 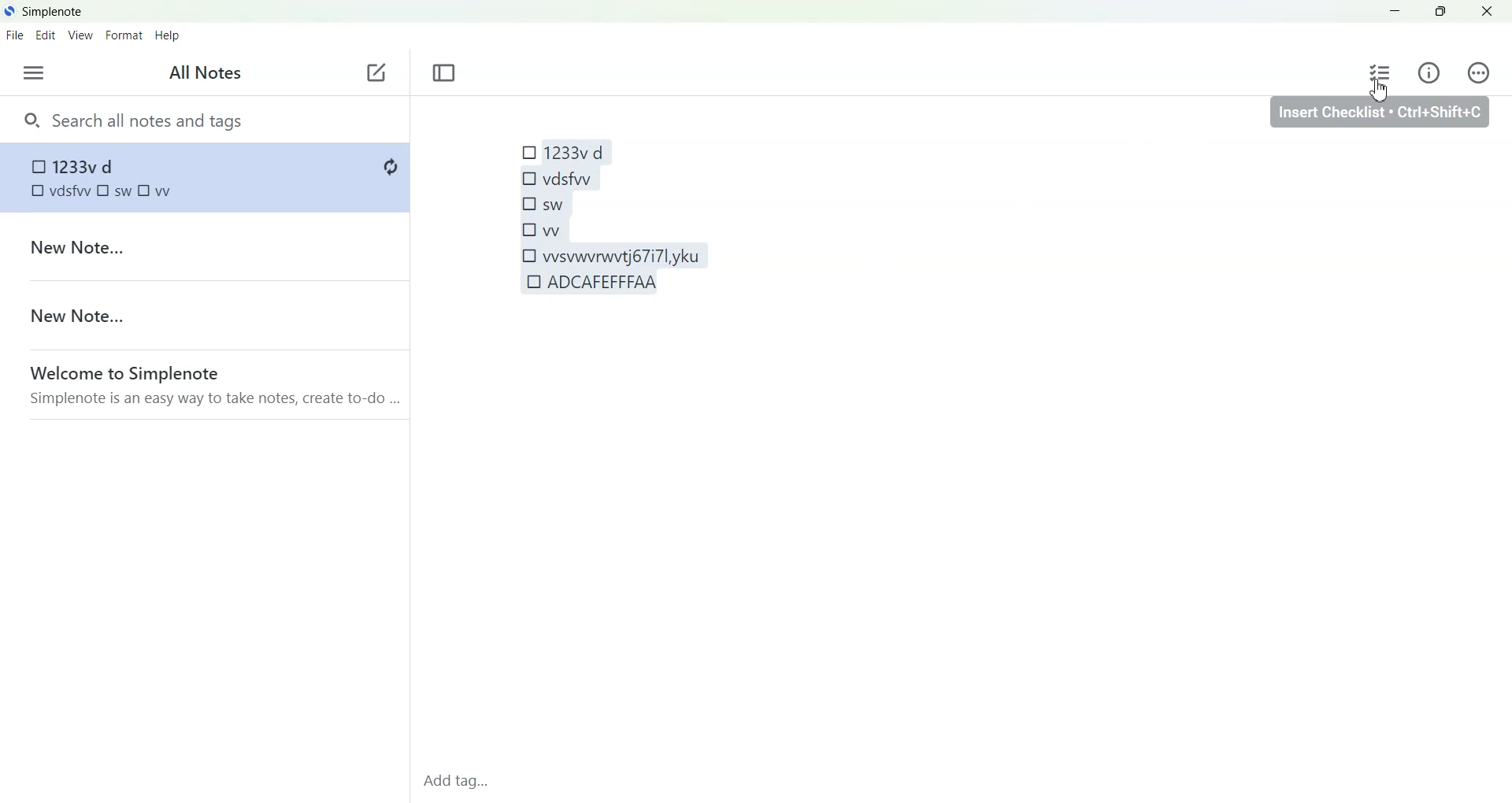 I want to click on Info, so click(x=1429, y=75).